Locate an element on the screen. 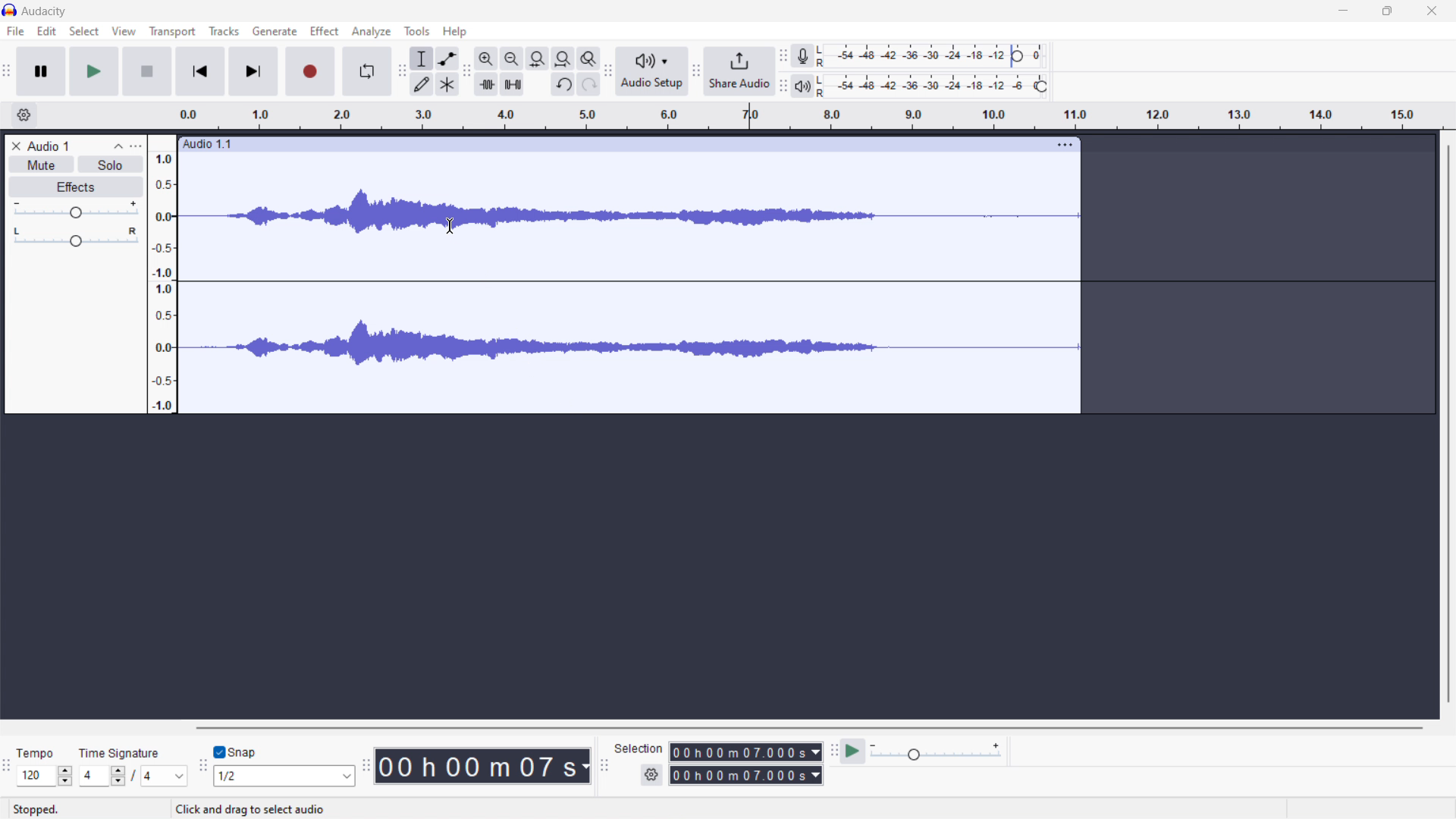 This screenshot has height=819, width=1456. time toolbar is located at coordinates (366, 770).